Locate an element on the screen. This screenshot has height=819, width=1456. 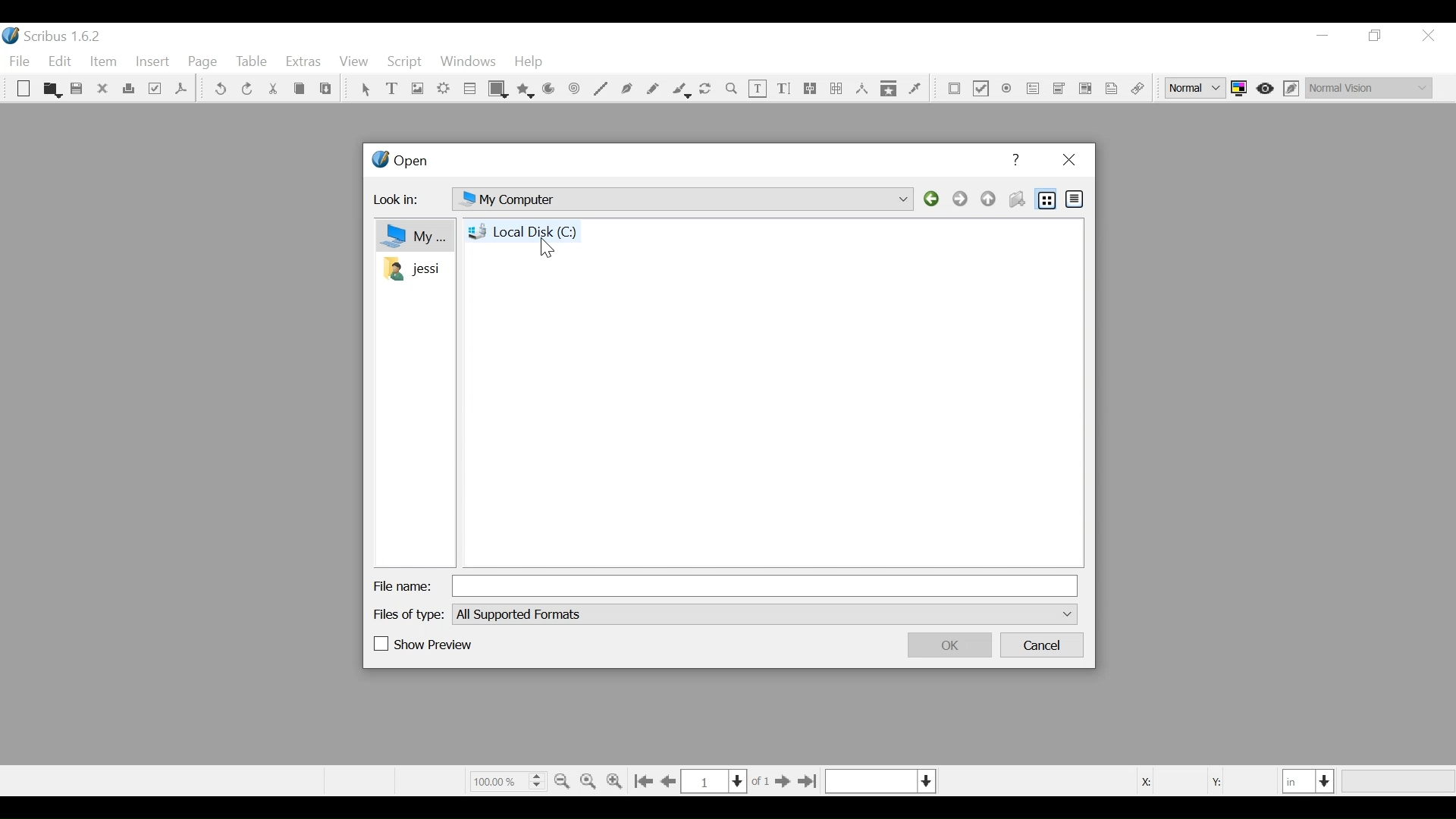
List View is located at coordinates (1047, 199).